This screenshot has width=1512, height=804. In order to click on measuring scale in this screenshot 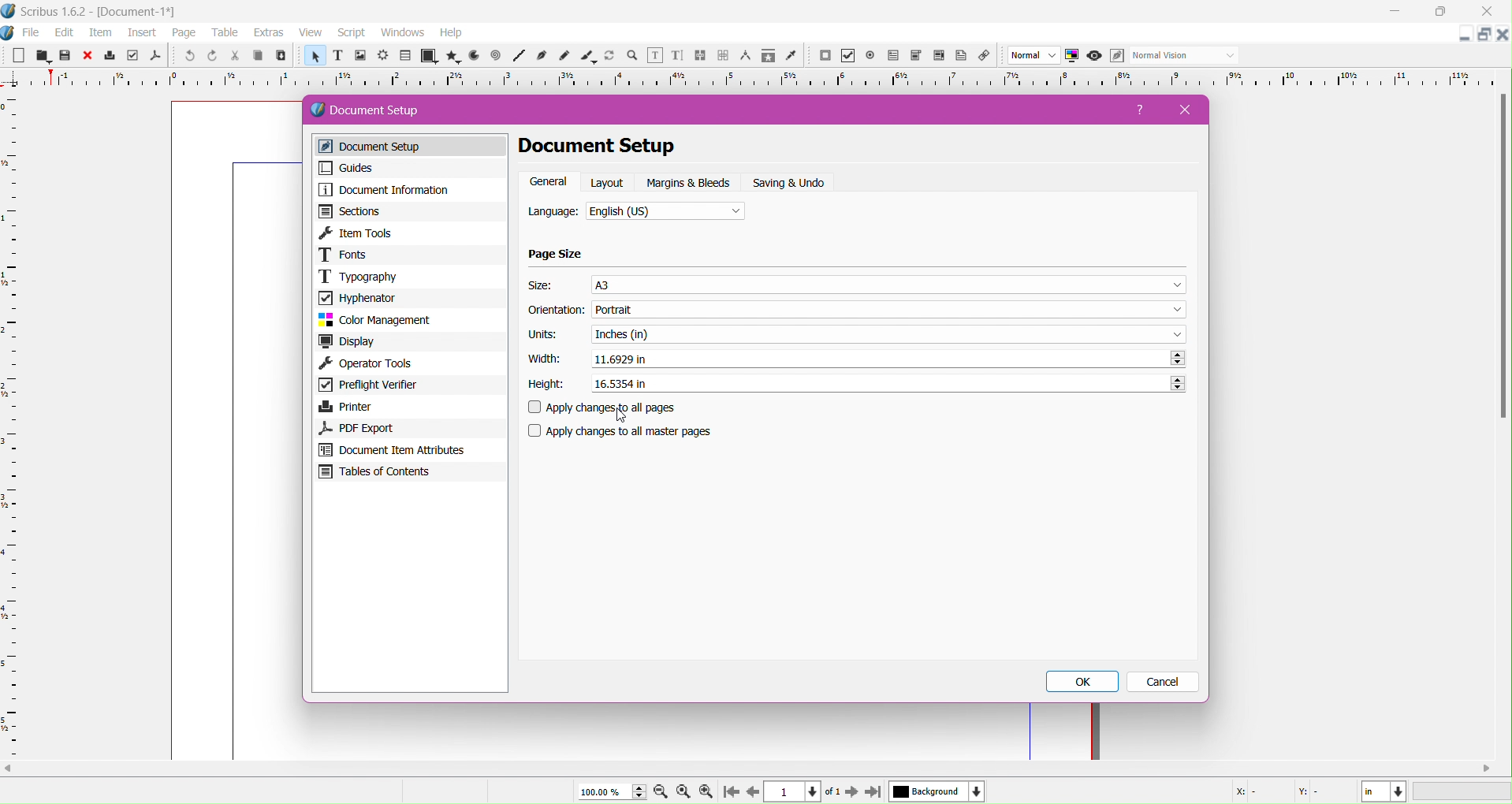, I will do `click(752, 80)`.